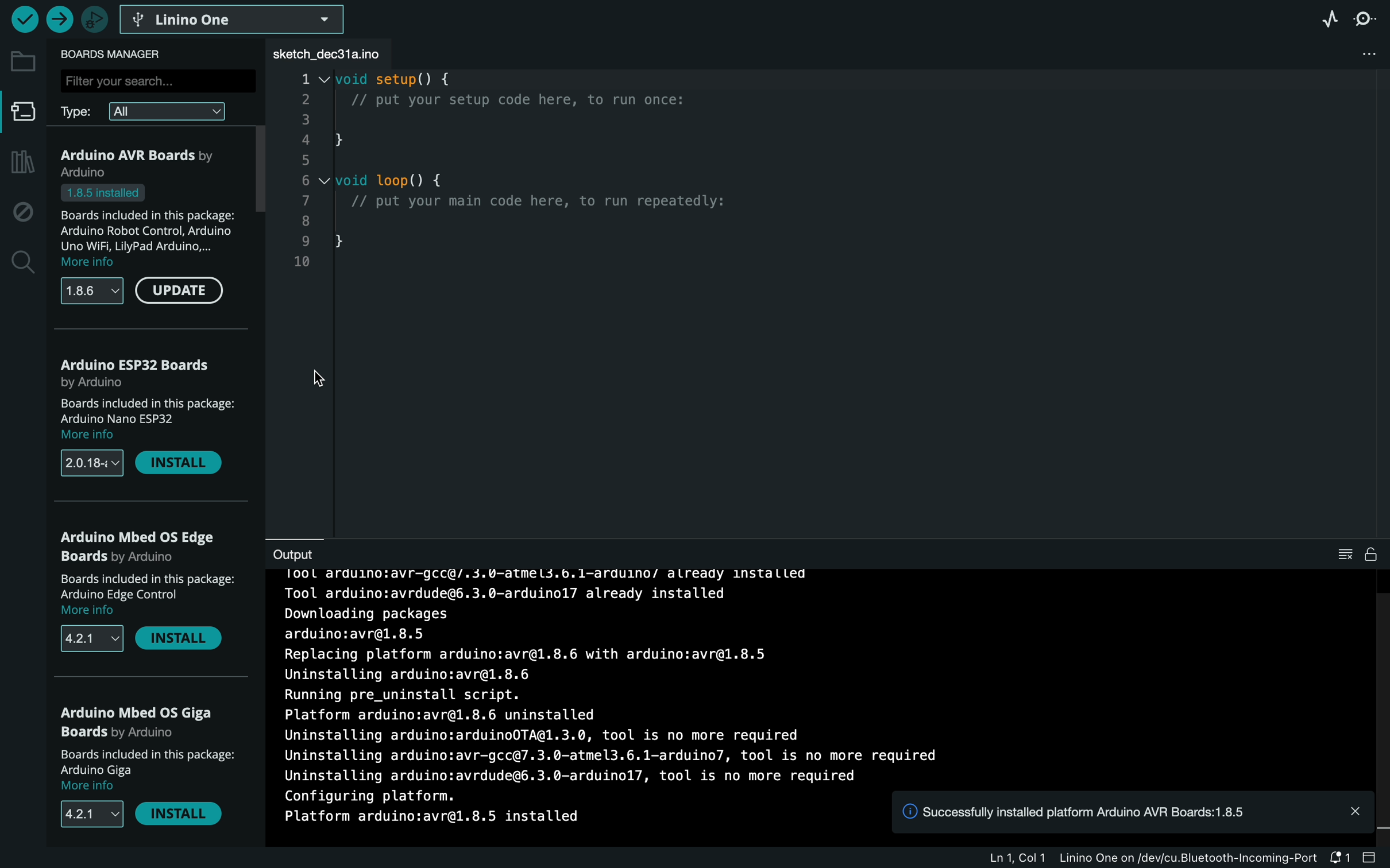 Image resolution: width=1390 pixels, height=868 pixels. I want to click on description, so click(144, 419).